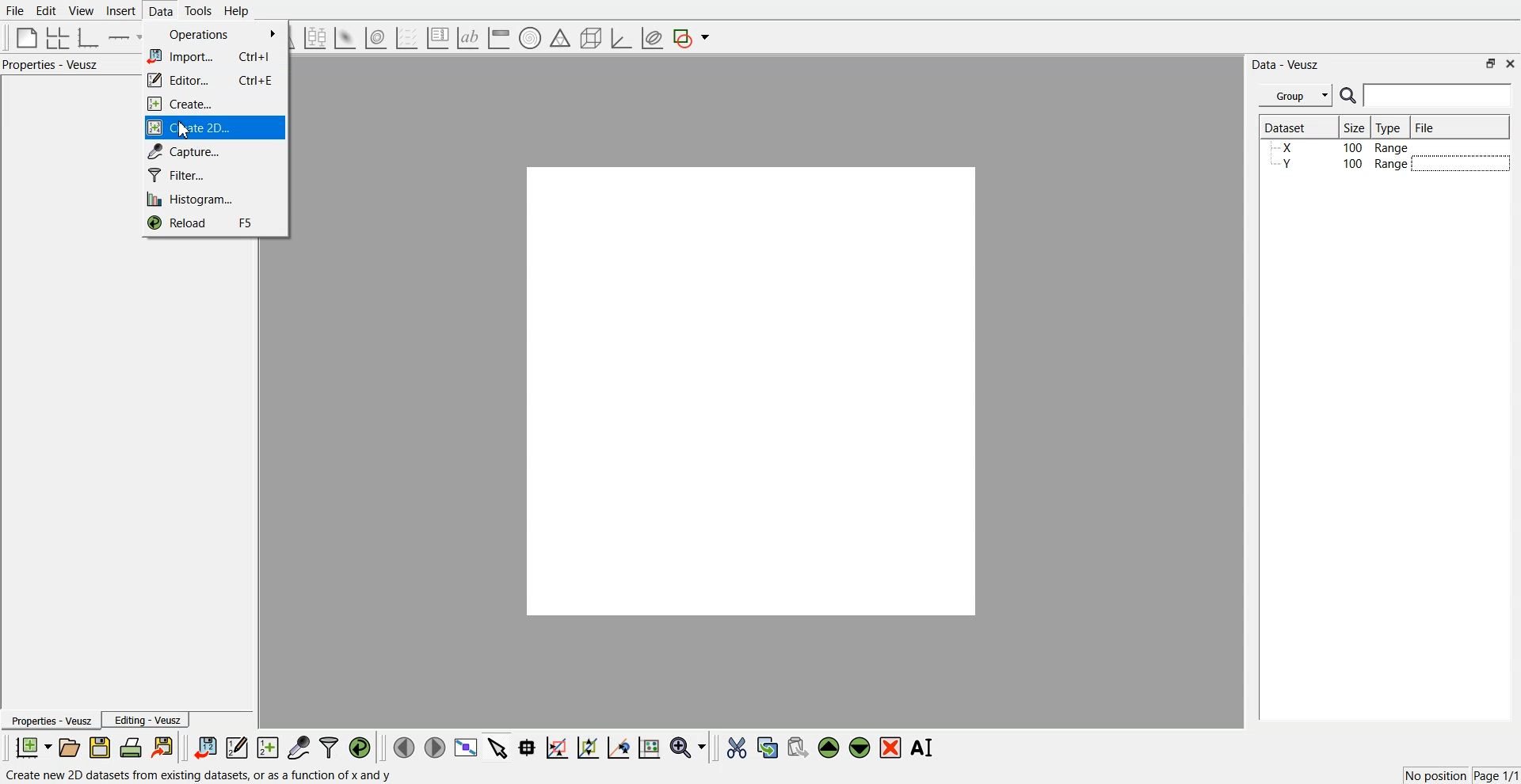 Image resolution: width=1521 pixels, height=784 pixels. Describe the element at coordinates (164, 747) in the screenshot. I see `Export to graphic format` at that location.